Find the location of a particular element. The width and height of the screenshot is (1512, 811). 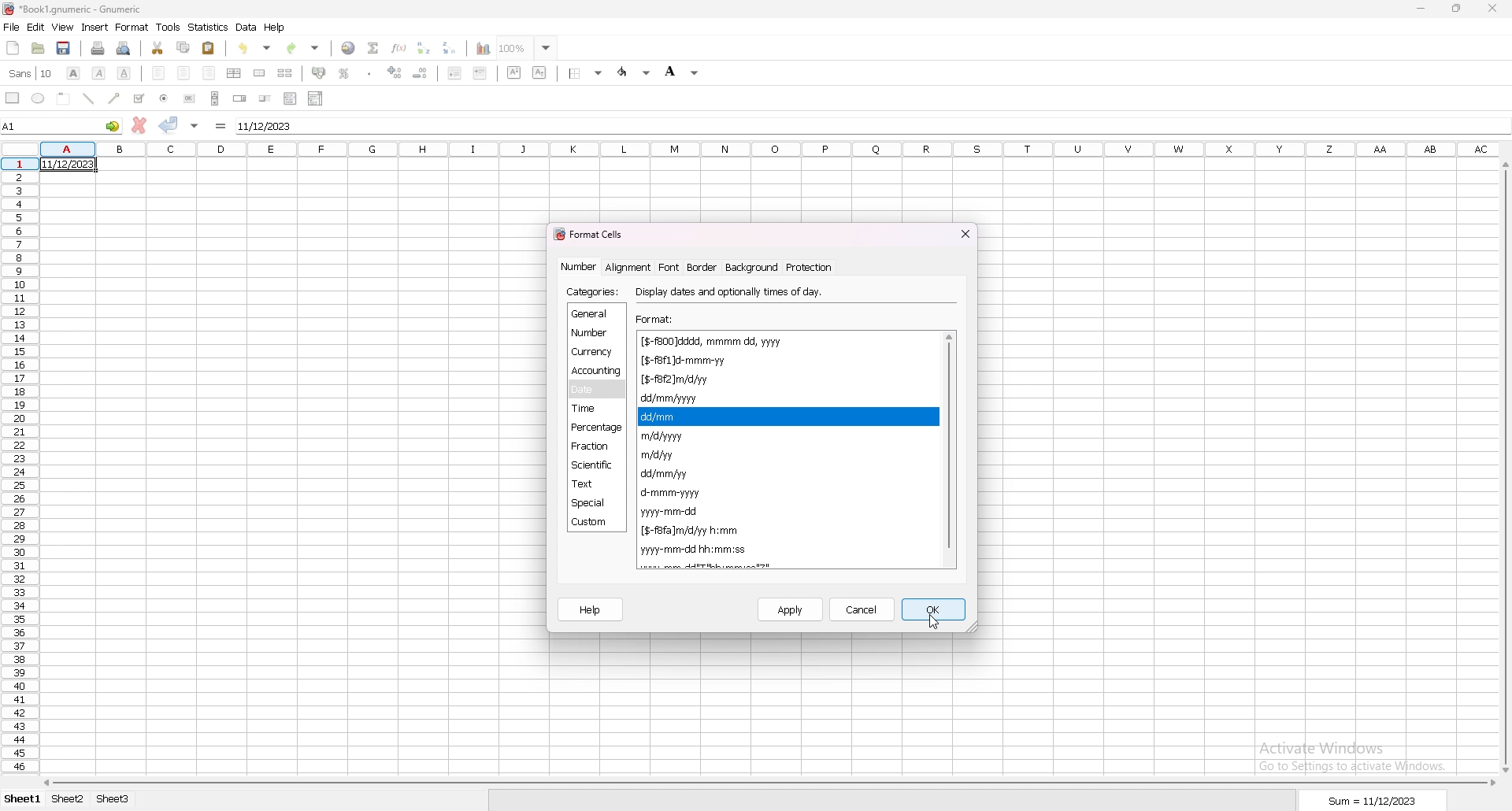

help is located at coordinates (276, 28).